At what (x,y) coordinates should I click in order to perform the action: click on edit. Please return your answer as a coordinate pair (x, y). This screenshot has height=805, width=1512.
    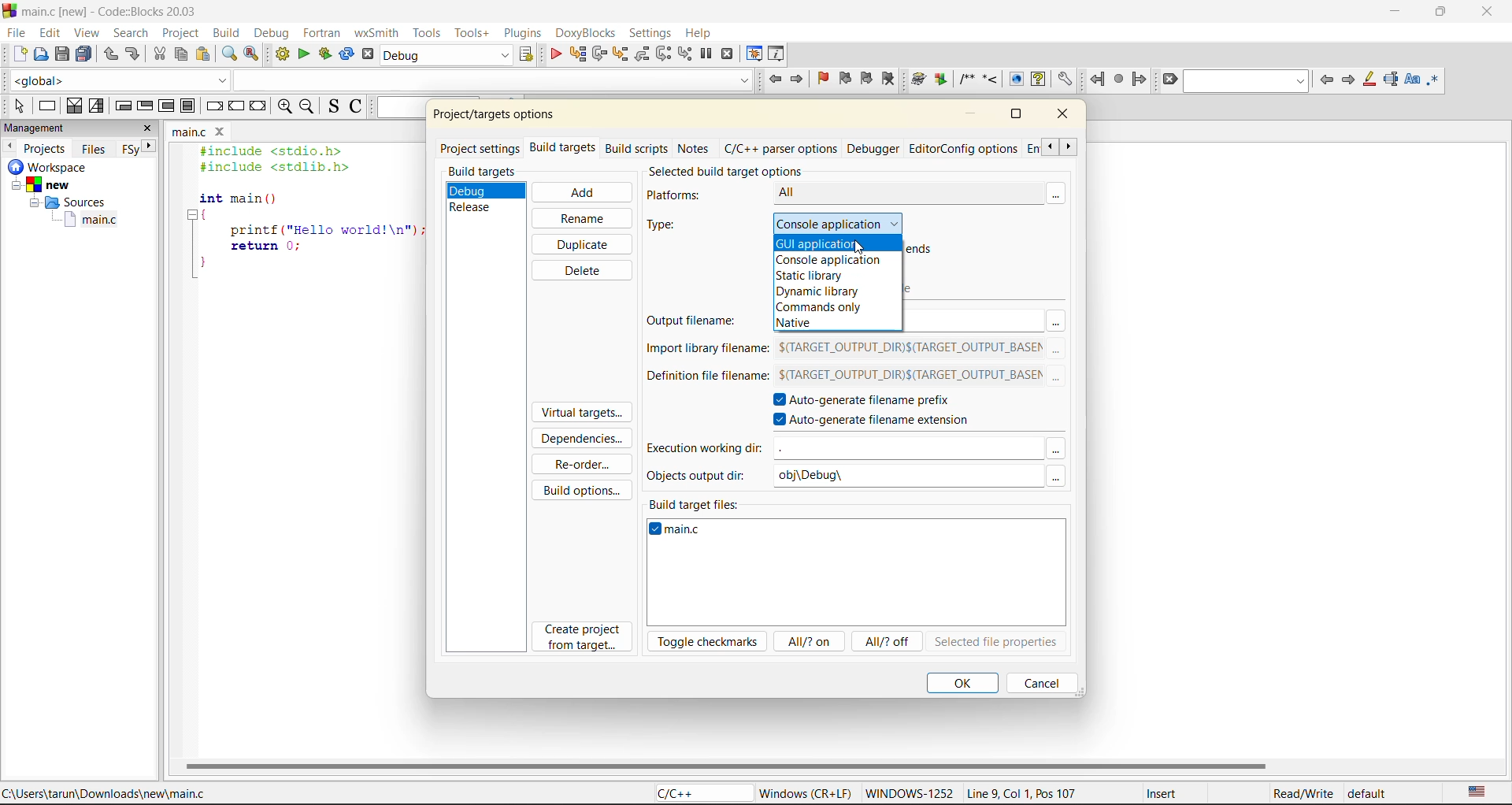
    Looking at the image, I should click on (50, 33).